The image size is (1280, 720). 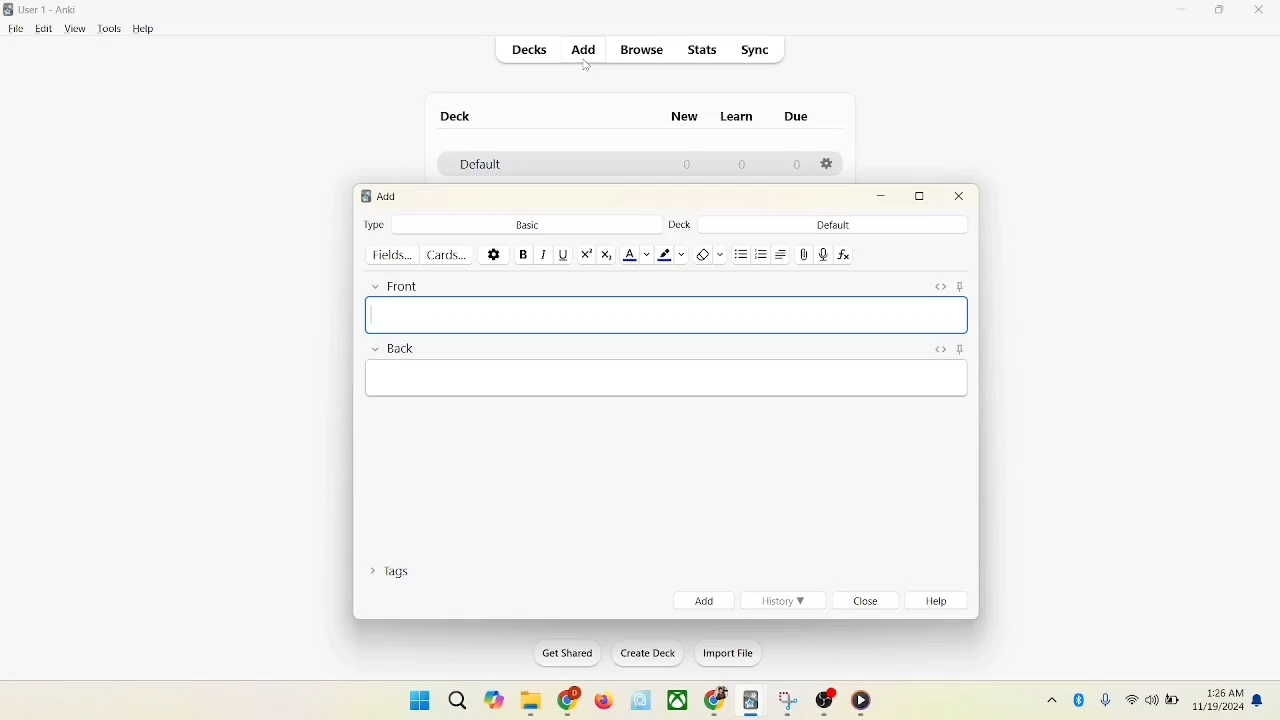 What do you see at coordinates (1259, 700) in the screenshot?
I see `notification` at bounding box center [1259, 700].